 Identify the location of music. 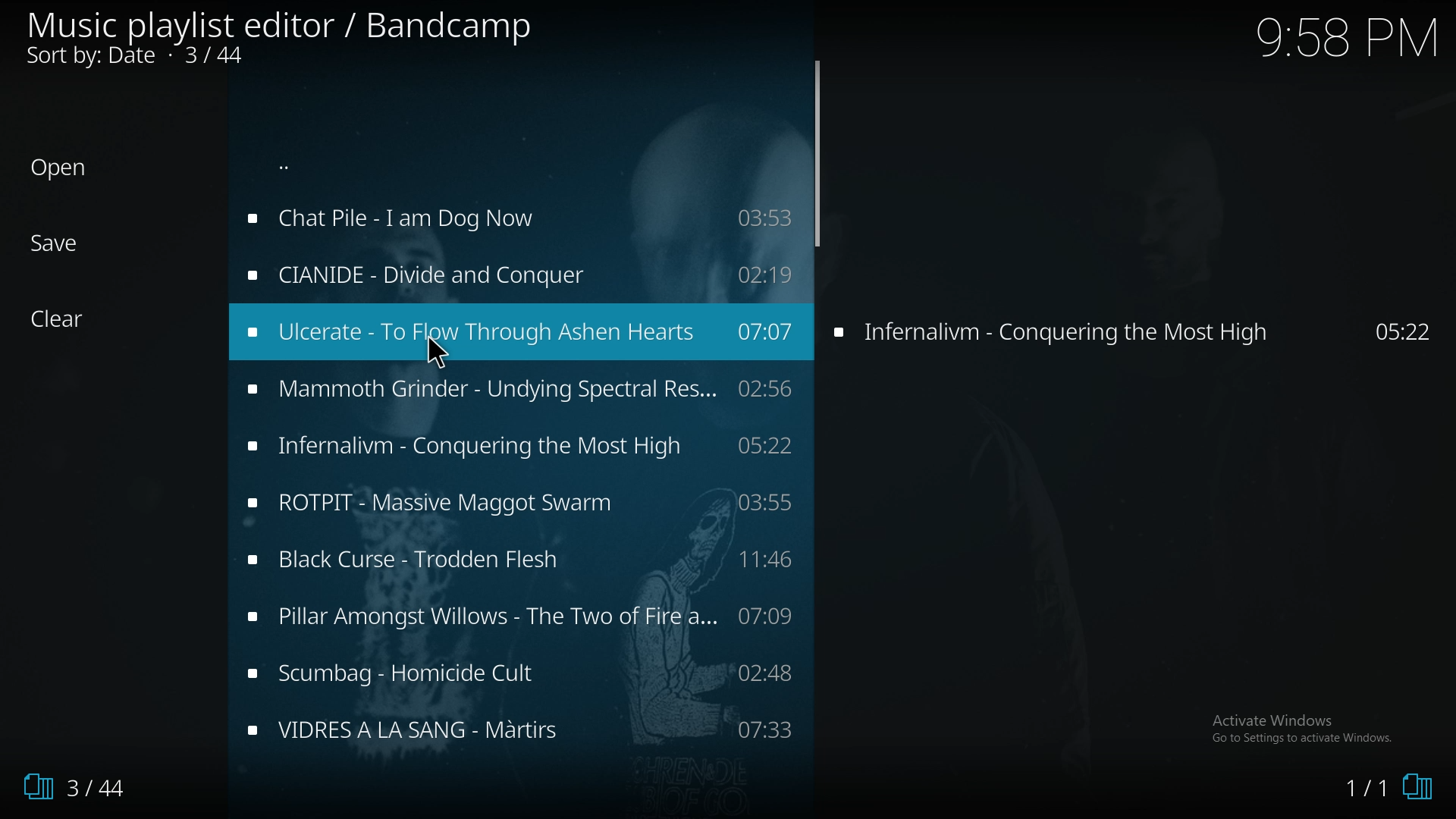
(516, 219).